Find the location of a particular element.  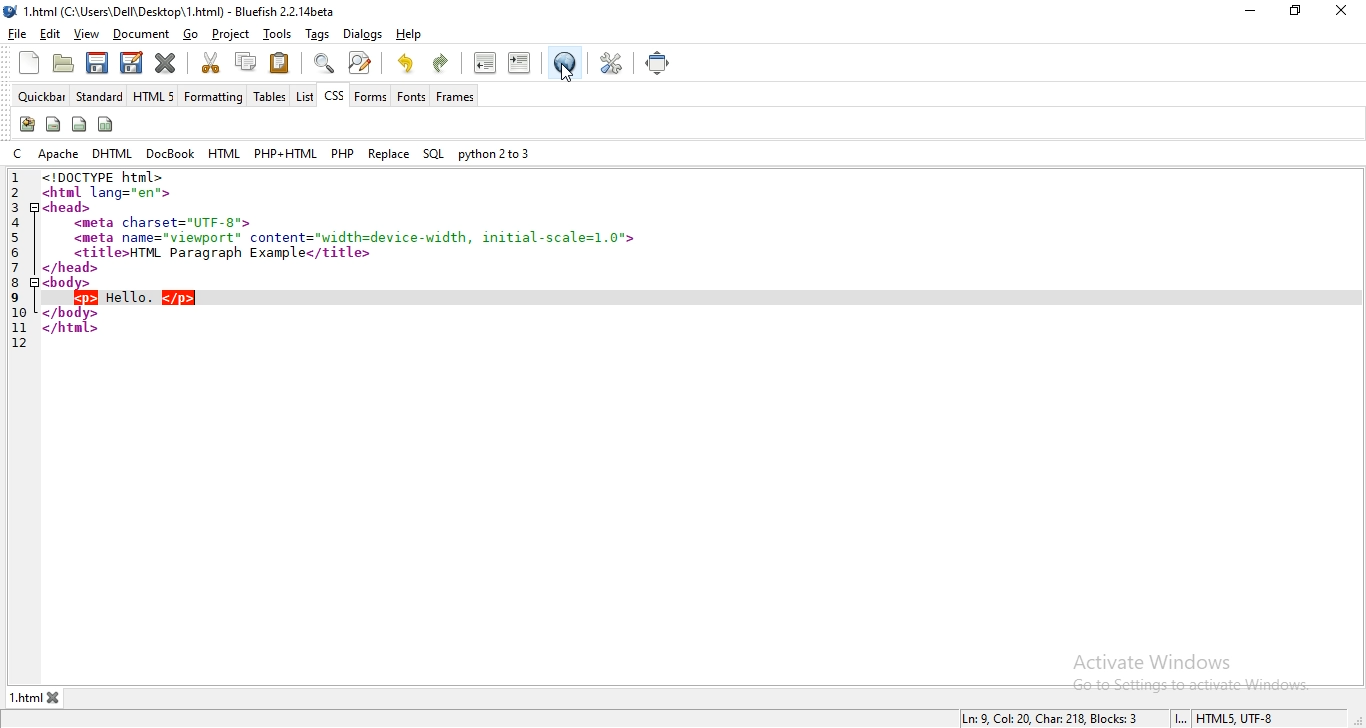

dhtml is located at coordinates (111, 153).